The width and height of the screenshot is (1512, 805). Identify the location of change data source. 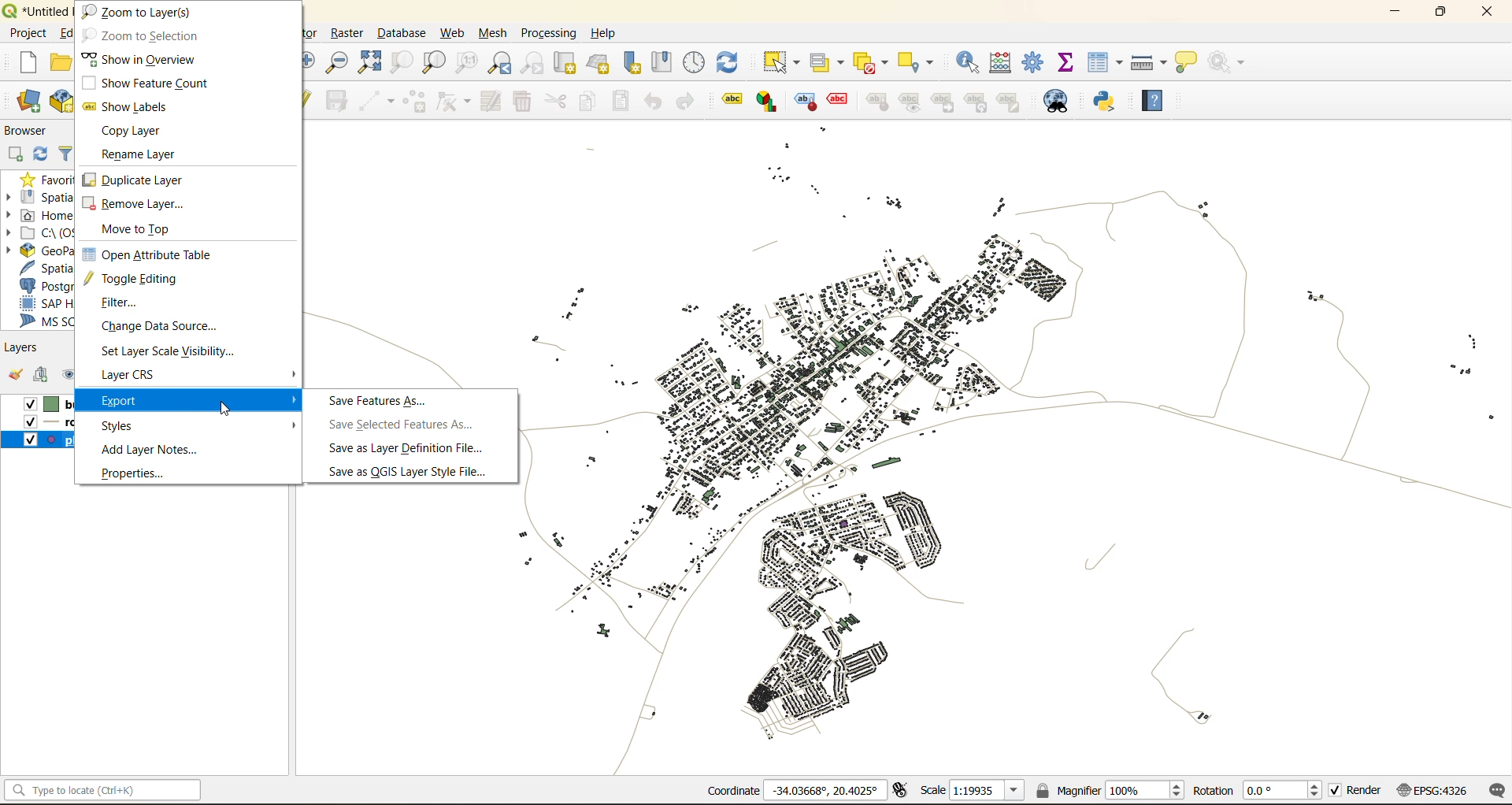
(169, 328).